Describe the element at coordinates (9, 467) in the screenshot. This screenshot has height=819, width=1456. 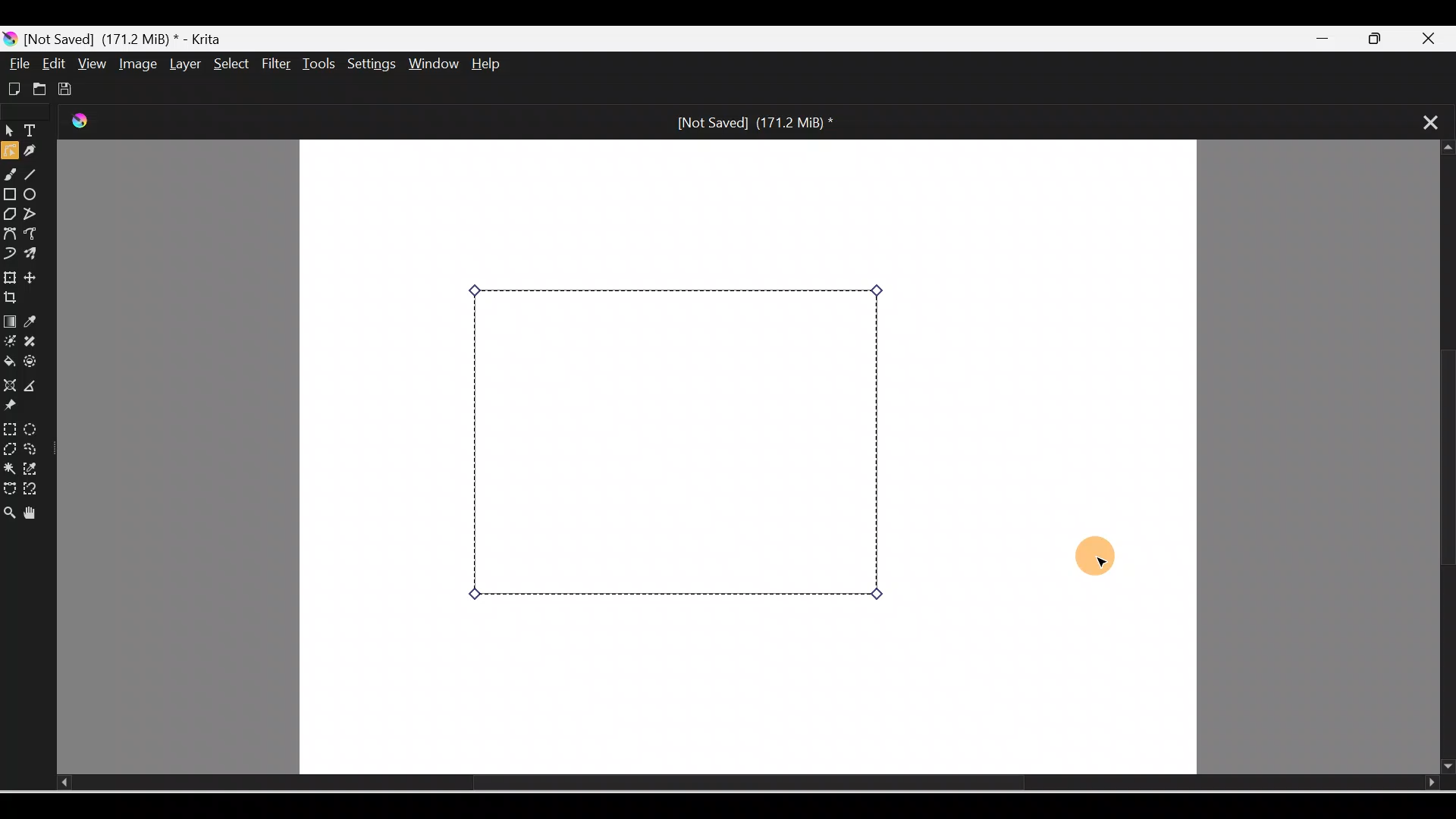
I see `Contiguous selection tool` at that location.